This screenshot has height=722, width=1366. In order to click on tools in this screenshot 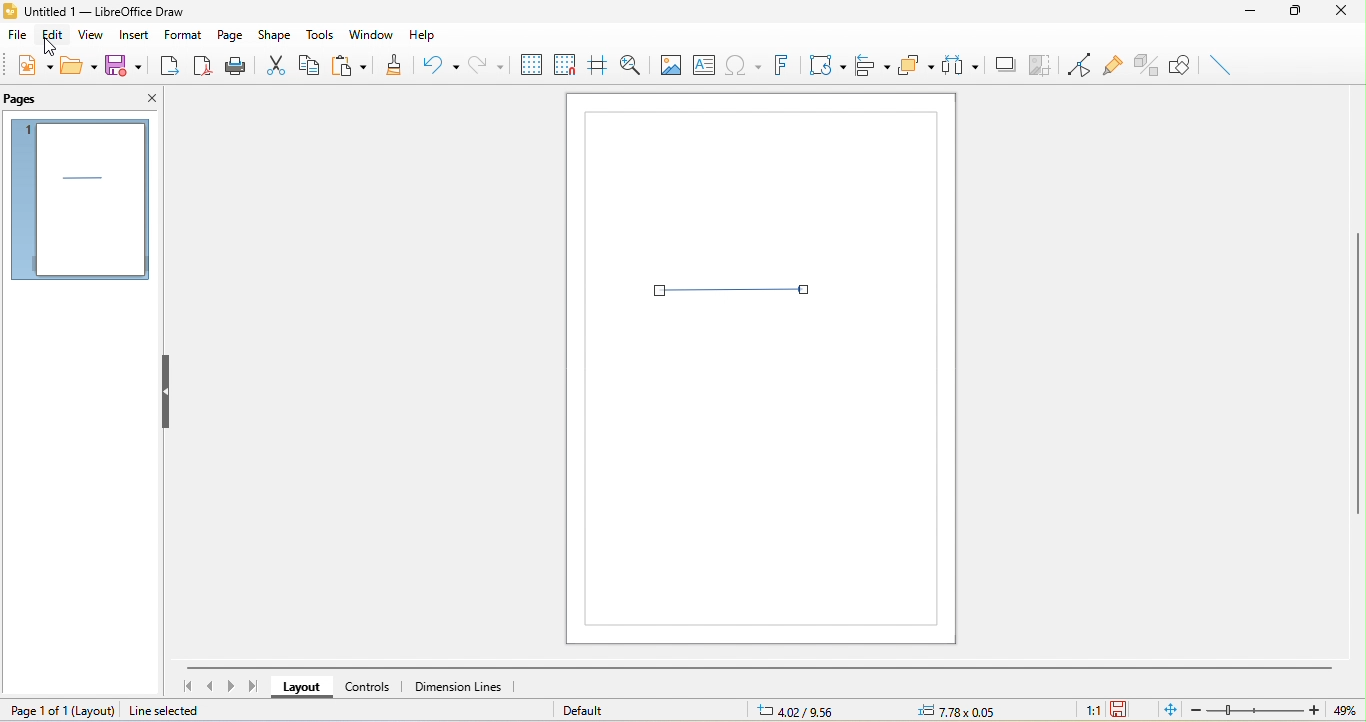, I will do `click(322, 35)`.